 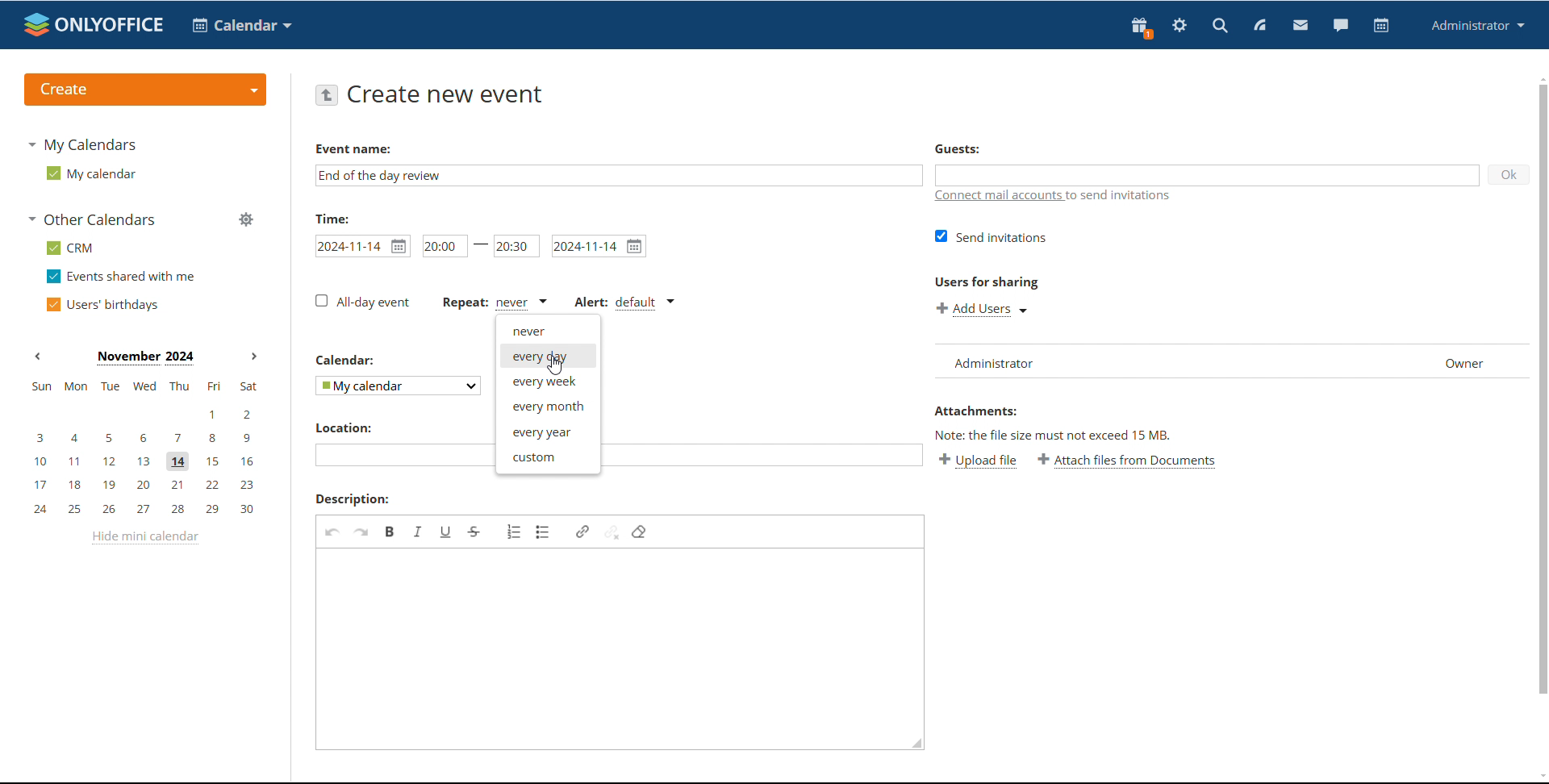 I want to click on crm, so click(x=71, y=248).